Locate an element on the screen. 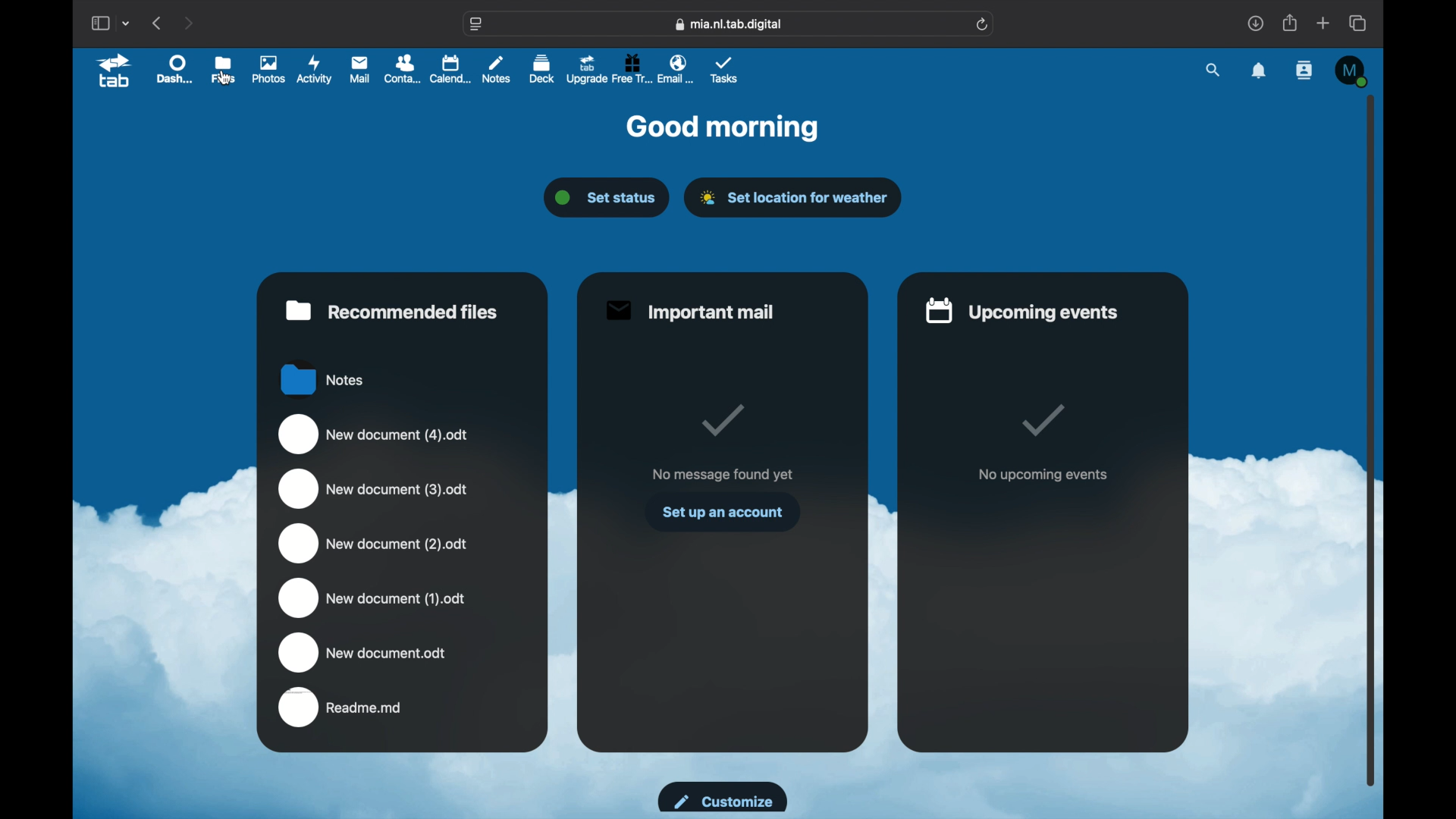 The width and height of the screenshot is (1456, 819). next is located at coordinates (188, 24).